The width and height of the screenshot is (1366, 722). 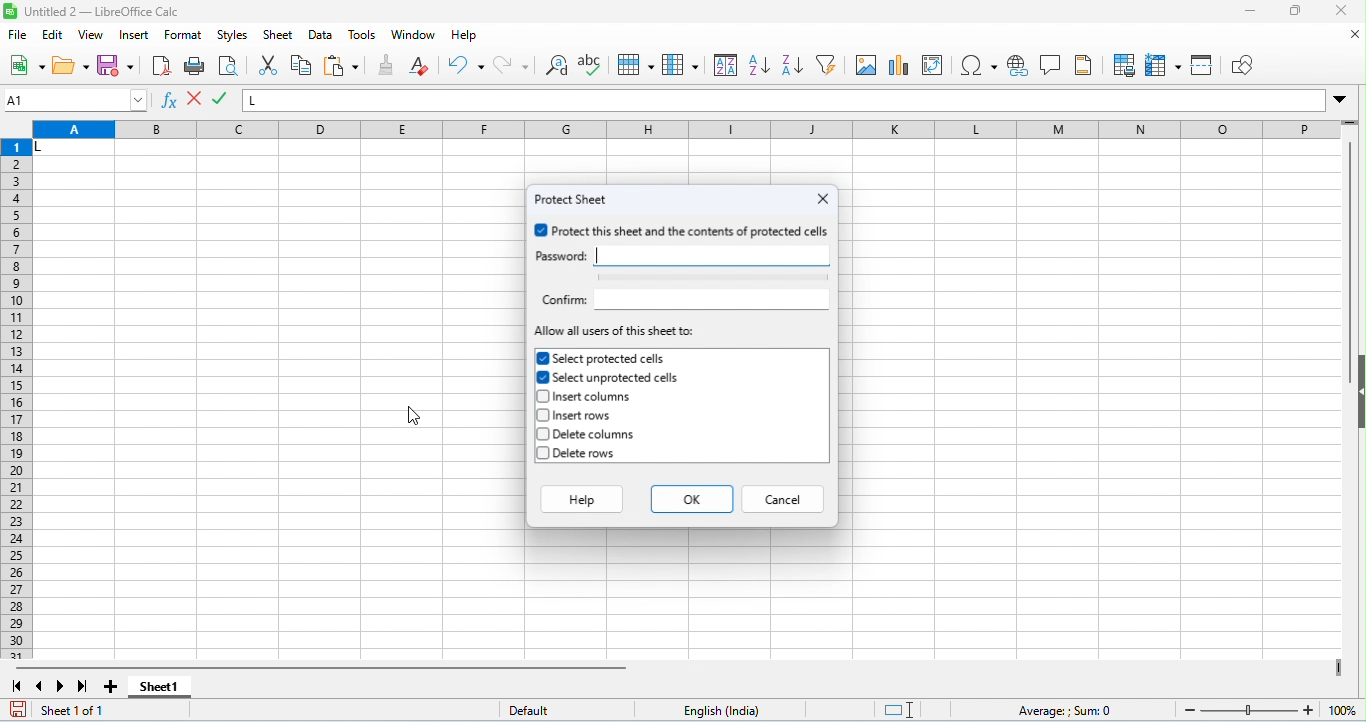 I want to click on new, so click(x=27, y=67).